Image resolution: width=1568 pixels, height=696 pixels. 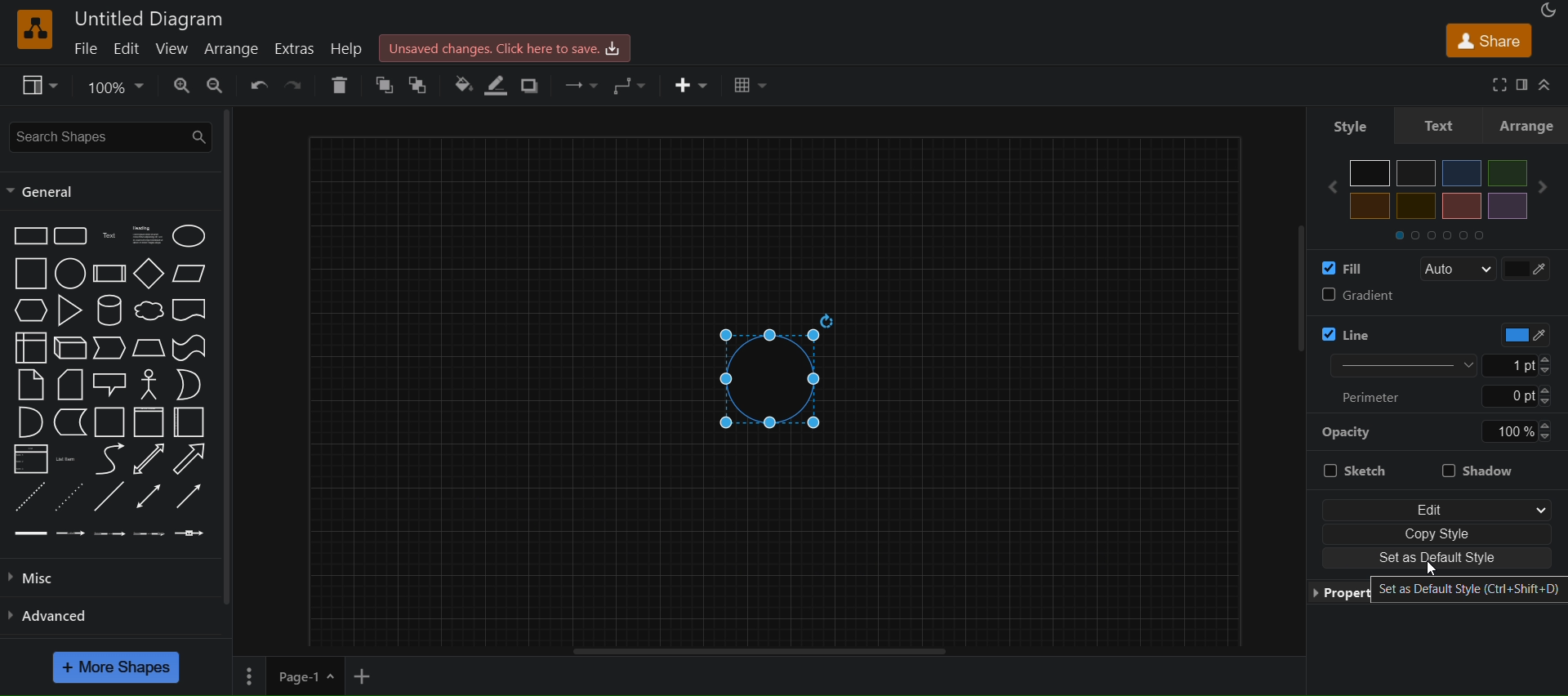 I want to click on grey color, so click(x=1417, y=172).